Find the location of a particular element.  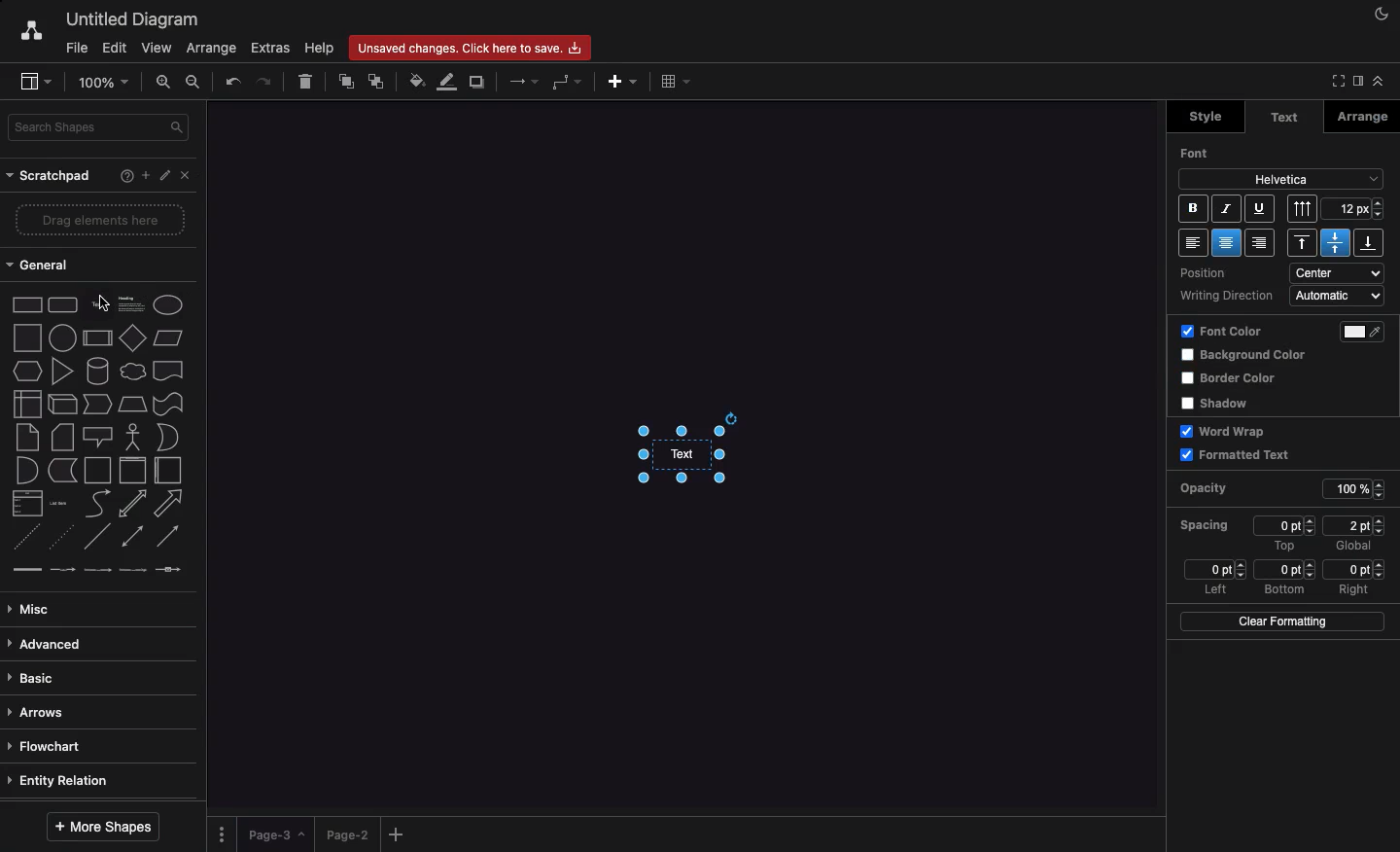

Italic is located at coordinates (1227, 209).